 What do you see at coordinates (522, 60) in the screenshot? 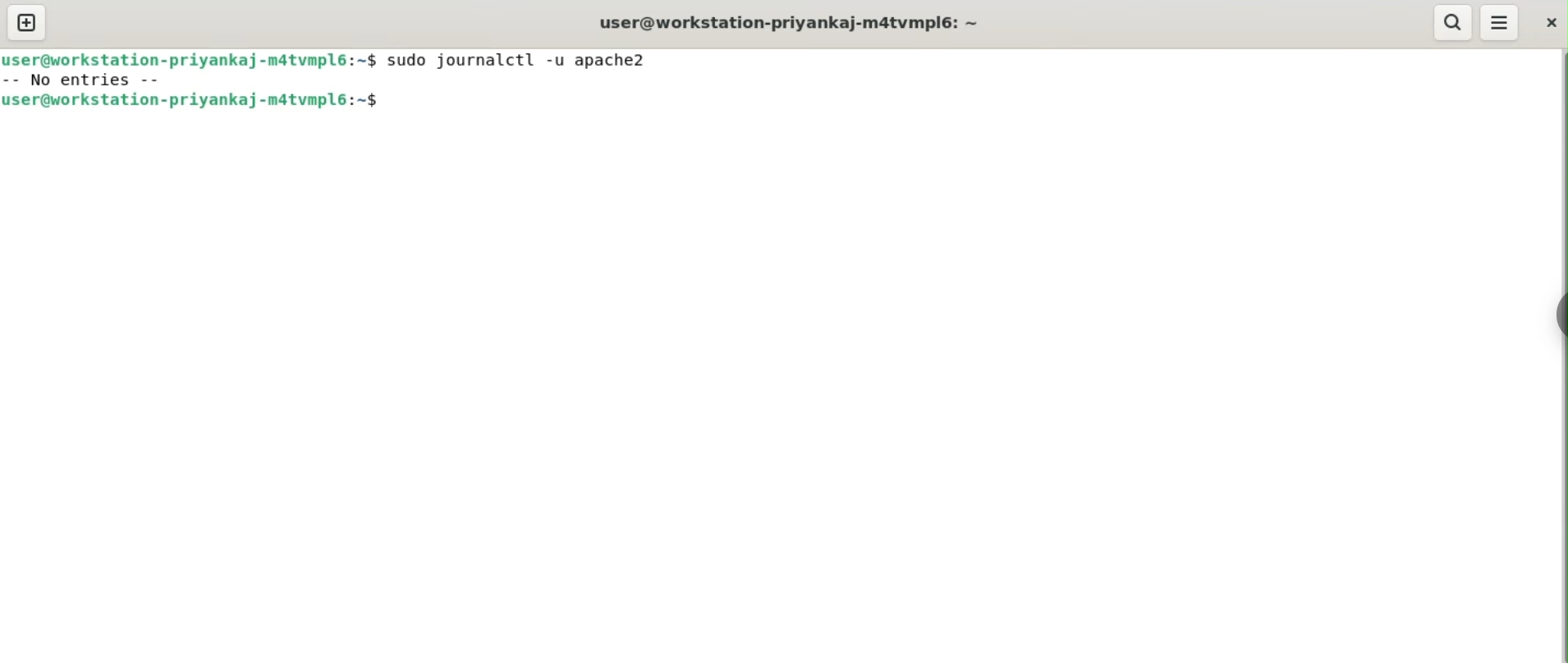
I see `sudo journalctl -u apache2` at bounding box center [522, 60].